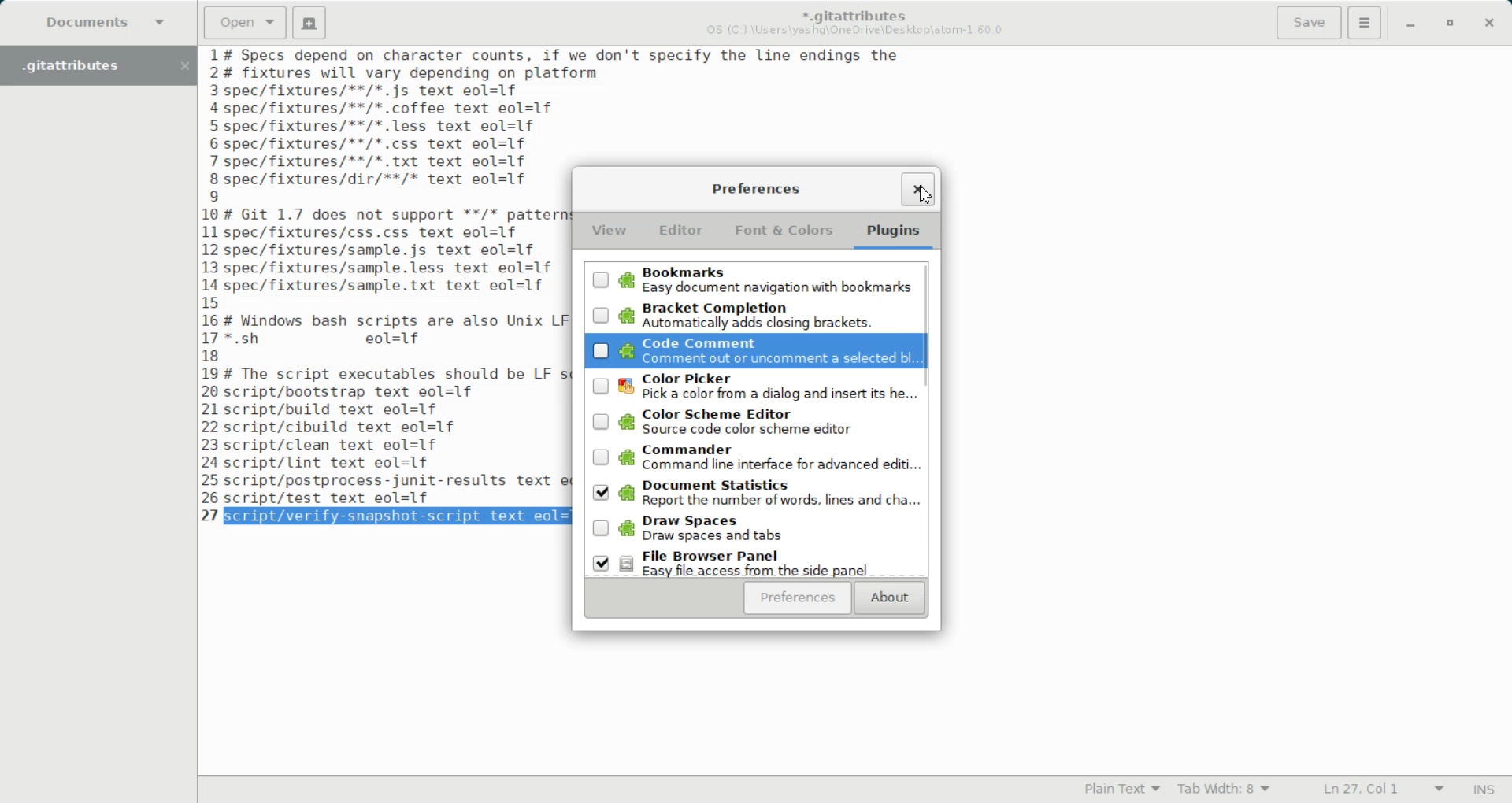 This screenshot has height=803, width=1512. Describe the element at coordinates (82, 65) in the screenshot. I see `Folder` at that location.